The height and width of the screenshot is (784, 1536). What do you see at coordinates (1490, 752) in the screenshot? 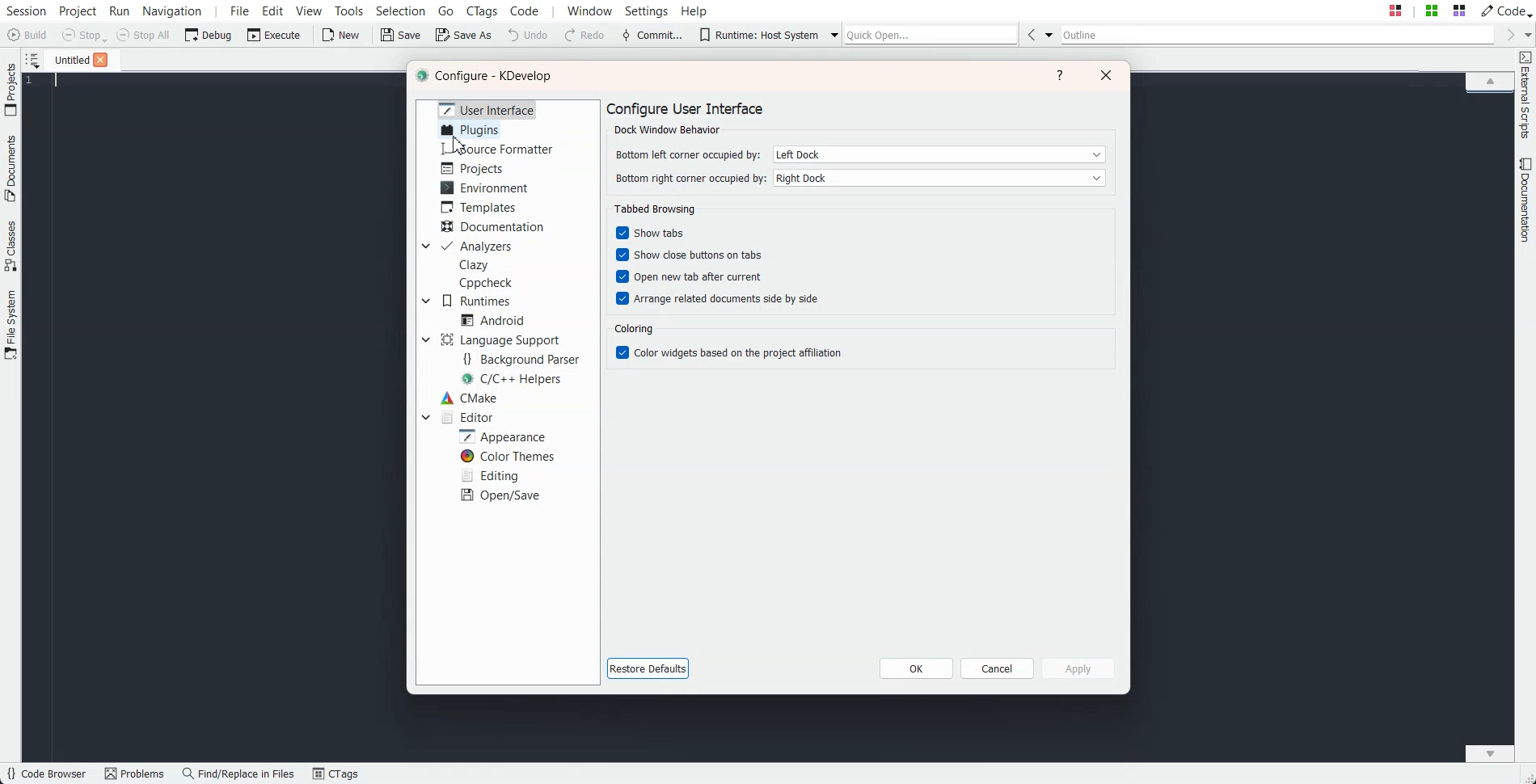
I see `Scroll down` at bounding box center [1490, 752].